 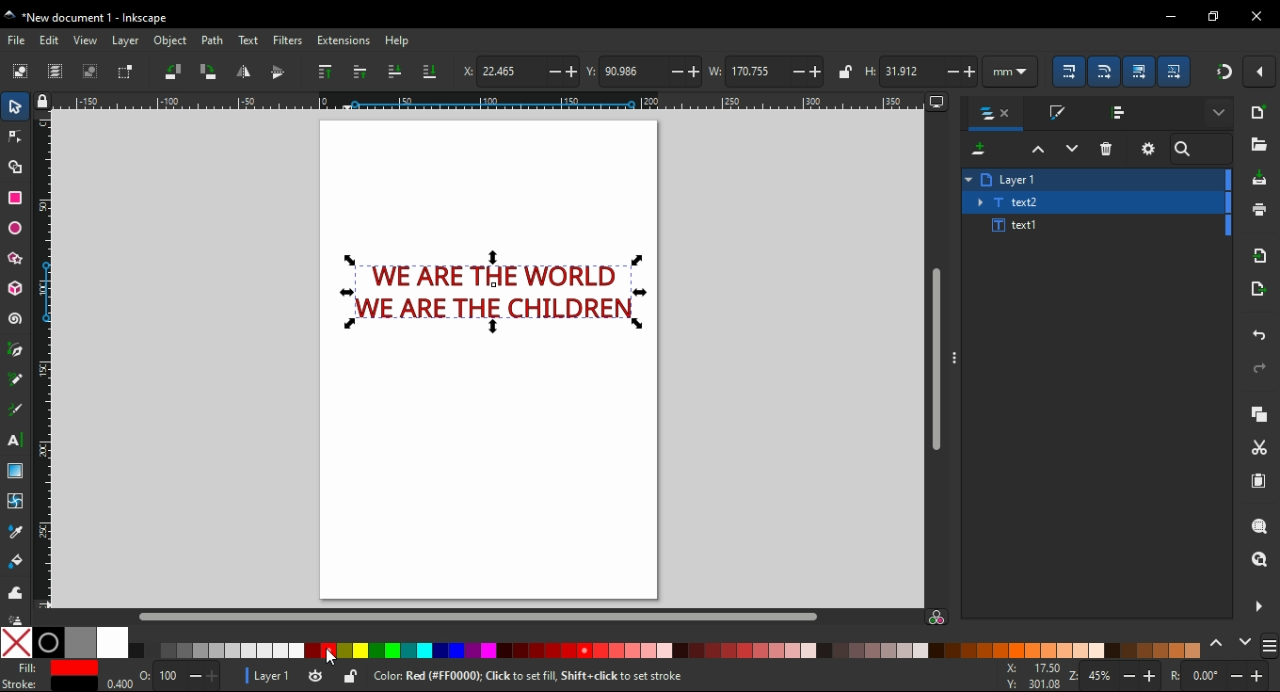 What do you see at coordinates (162, 678) in the screenshot?
I see `opacity` at bounding box center [162, 678].